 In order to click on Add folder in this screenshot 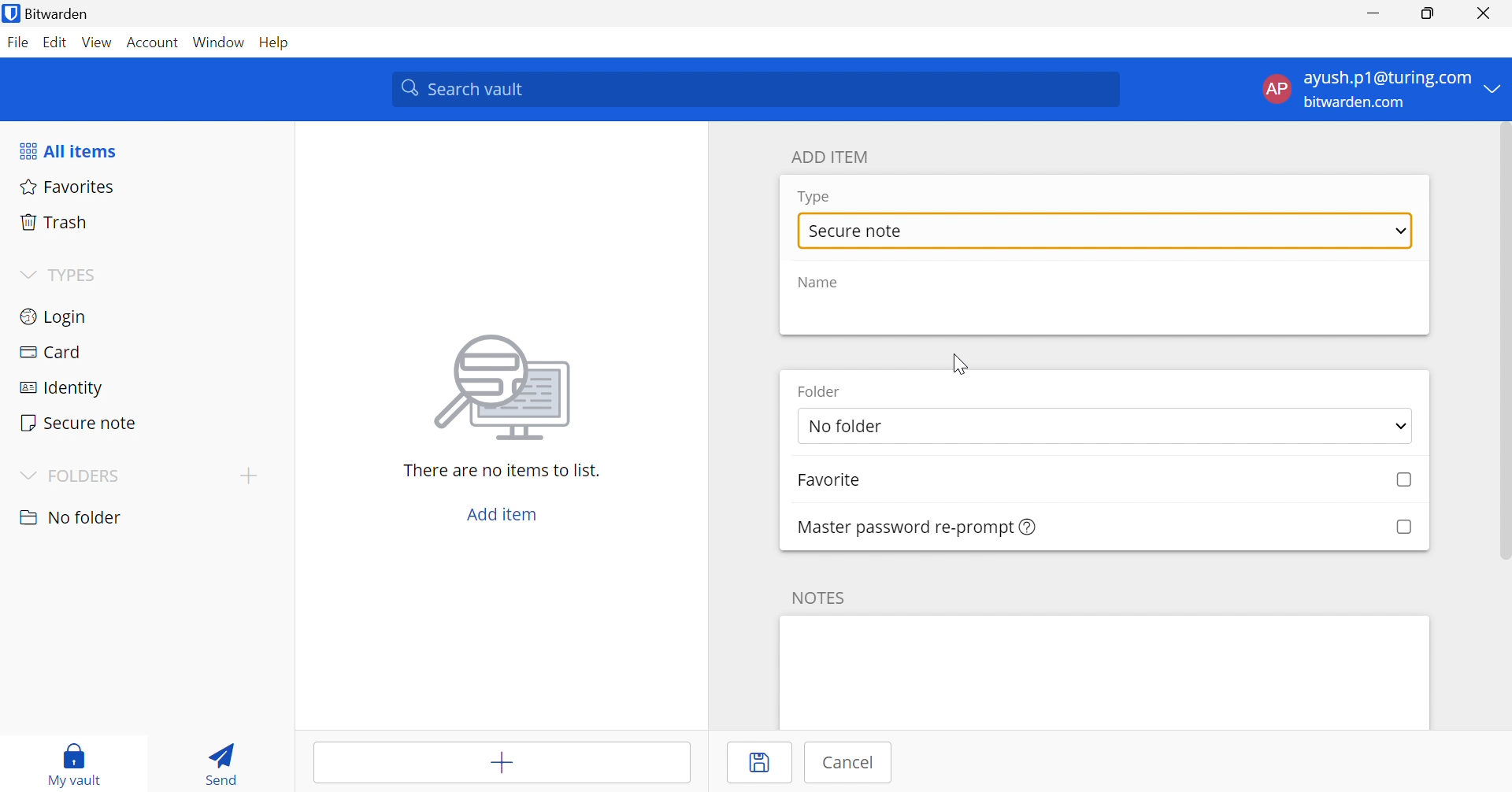, I will do `click(246, 475)`.